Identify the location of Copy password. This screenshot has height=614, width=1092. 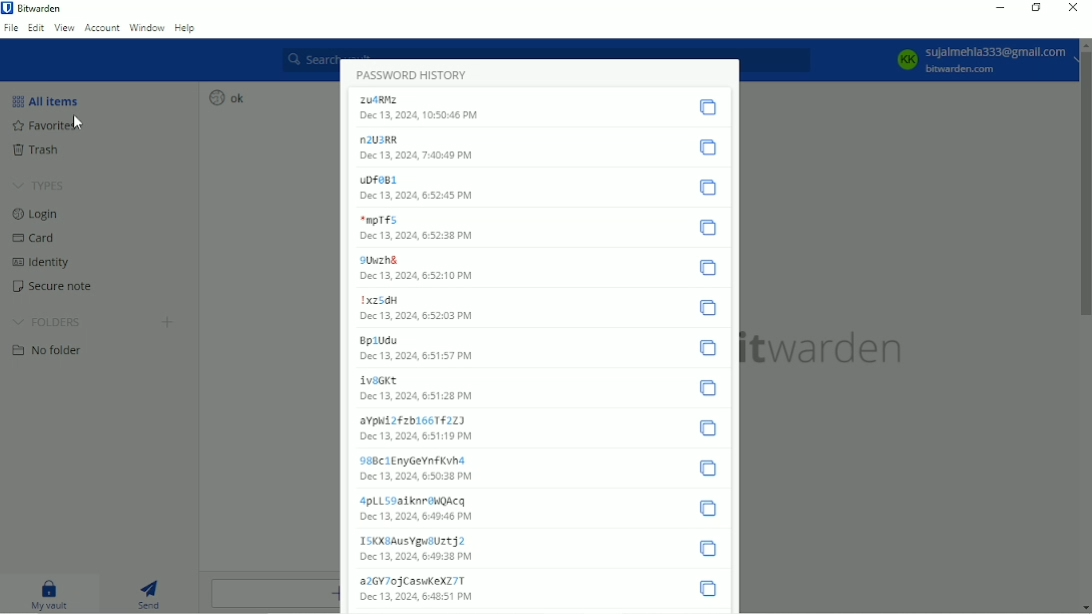
(710, 589).